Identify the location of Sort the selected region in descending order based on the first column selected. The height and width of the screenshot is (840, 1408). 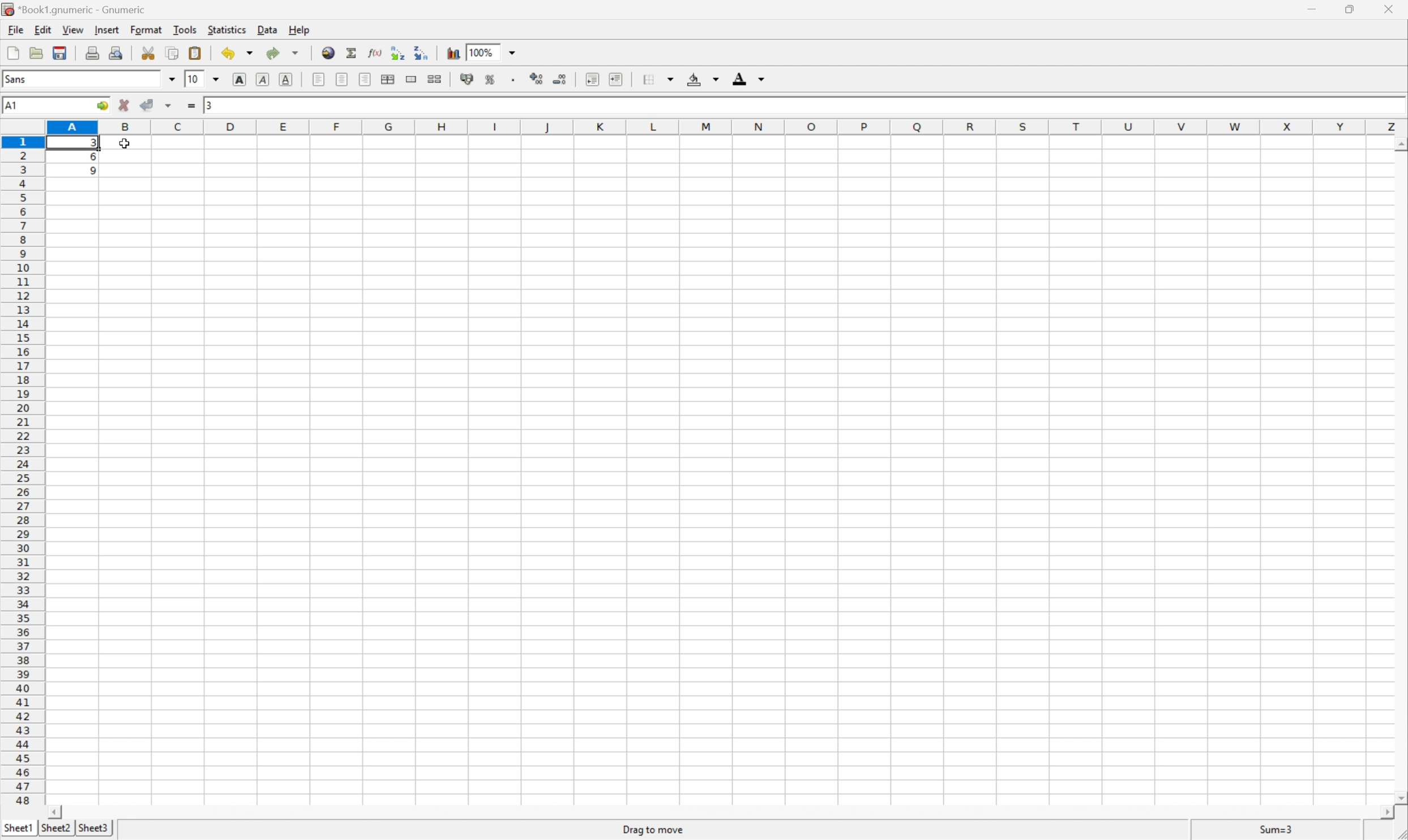
(396, 52).